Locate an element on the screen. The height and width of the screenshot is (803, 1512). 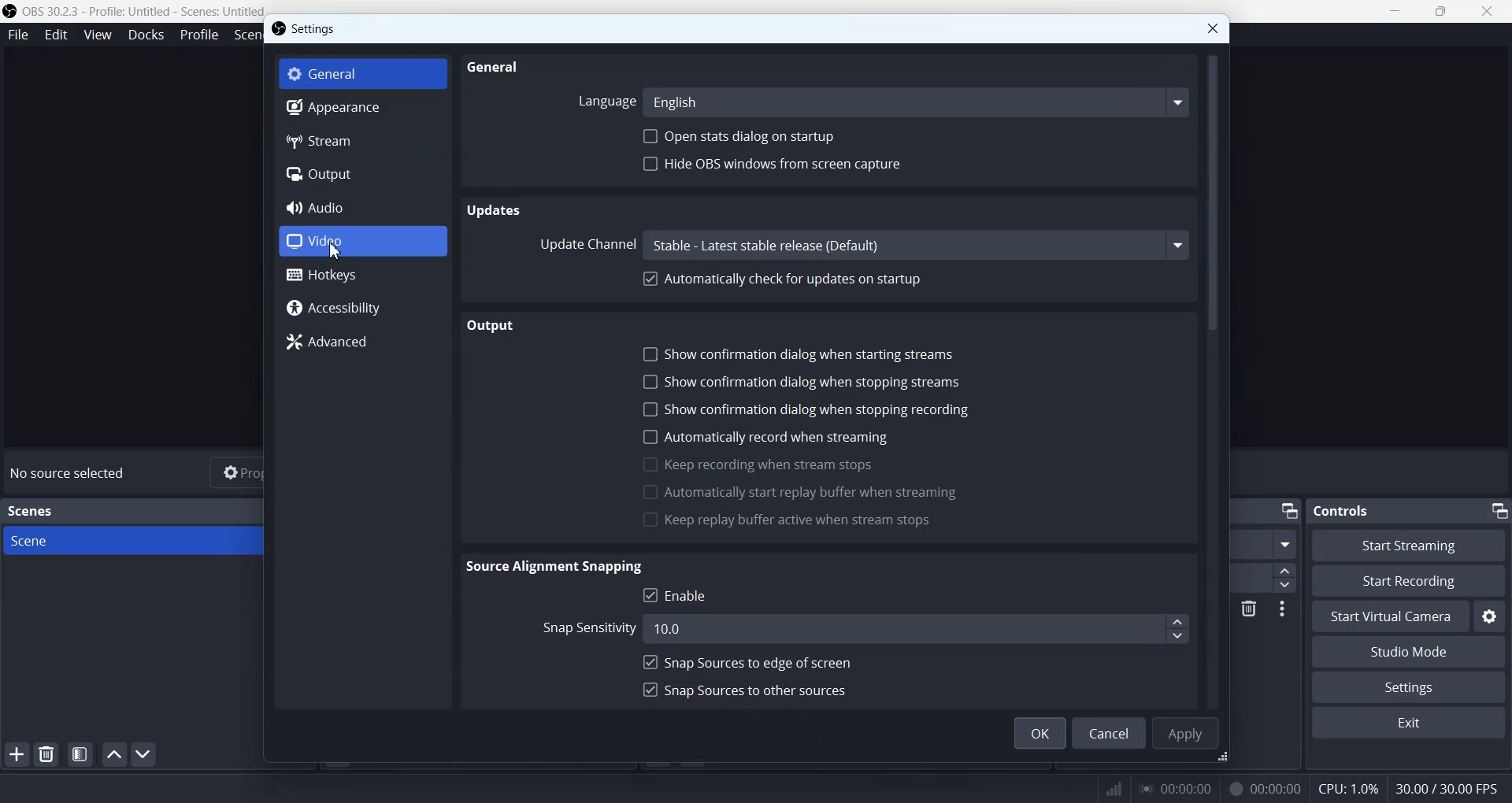
Exit is located at coordinates (1409, 723).